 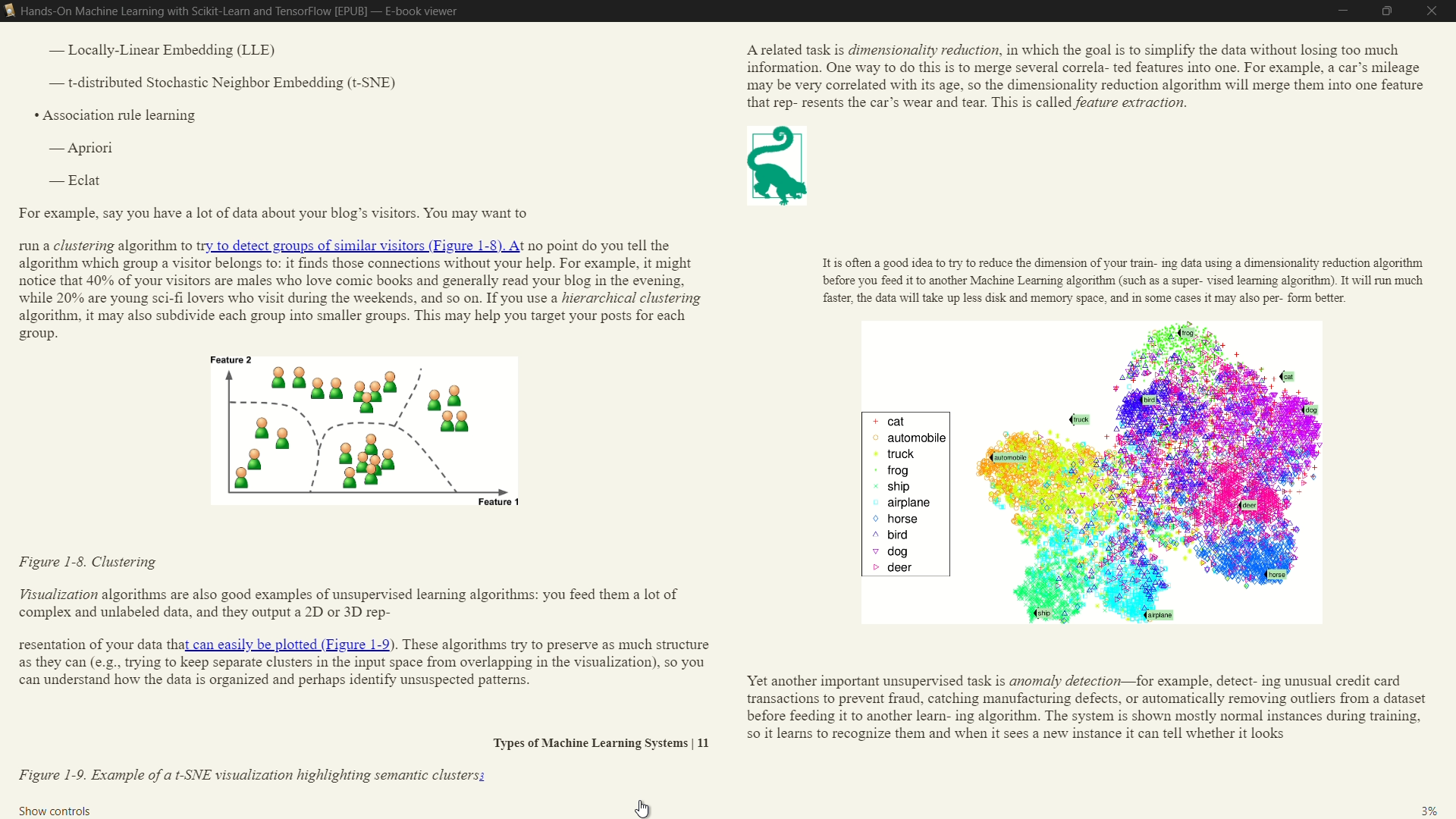 I want to click on maximize, so click(x=1391, y=11).